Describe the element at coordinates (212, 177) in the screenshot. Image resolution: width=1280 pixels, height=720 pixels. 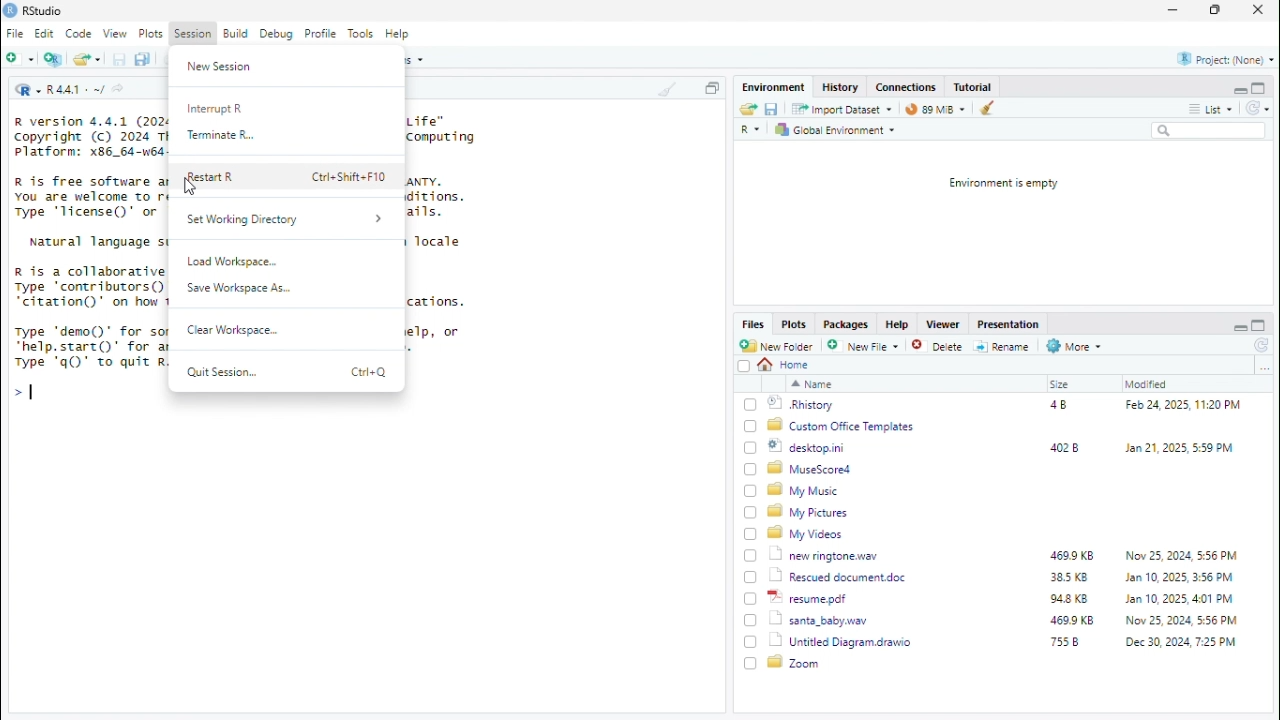
I see `Restart R` at that location.